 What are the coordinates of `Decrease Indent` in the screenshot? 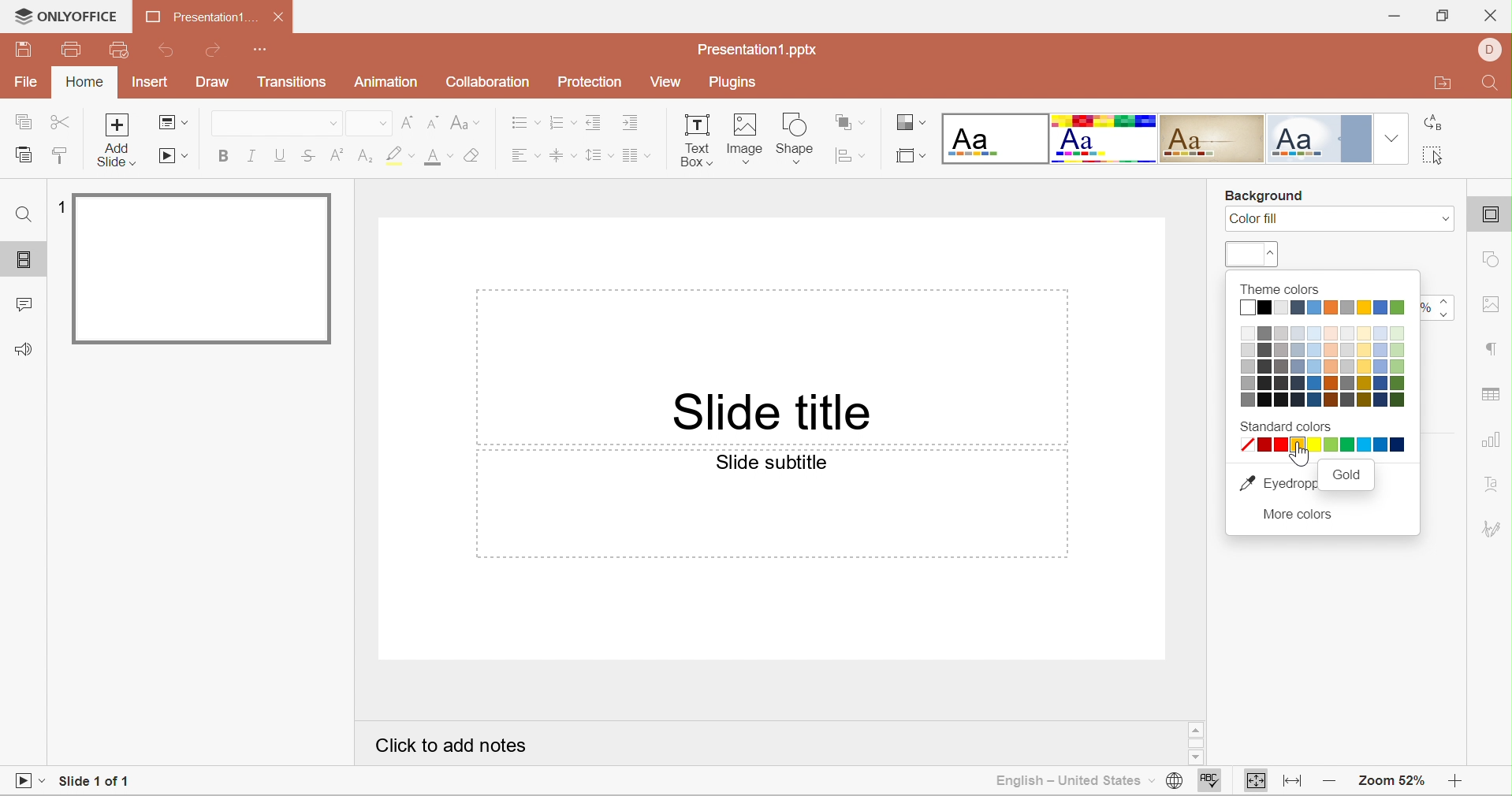 It's located at (594, 121).